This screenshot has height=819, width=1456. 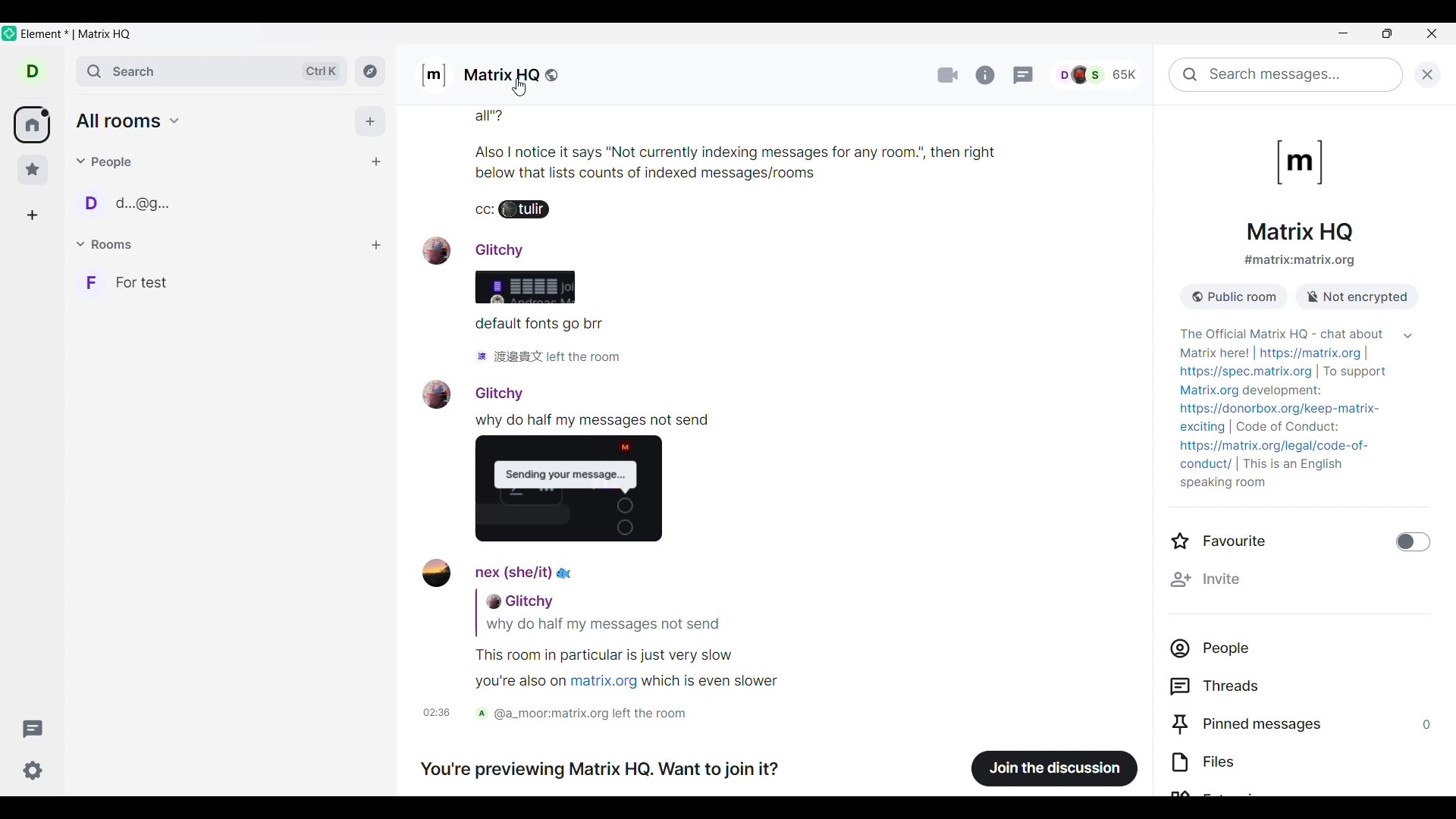 I want to click on Glitchy, so click(x=474, y=393).